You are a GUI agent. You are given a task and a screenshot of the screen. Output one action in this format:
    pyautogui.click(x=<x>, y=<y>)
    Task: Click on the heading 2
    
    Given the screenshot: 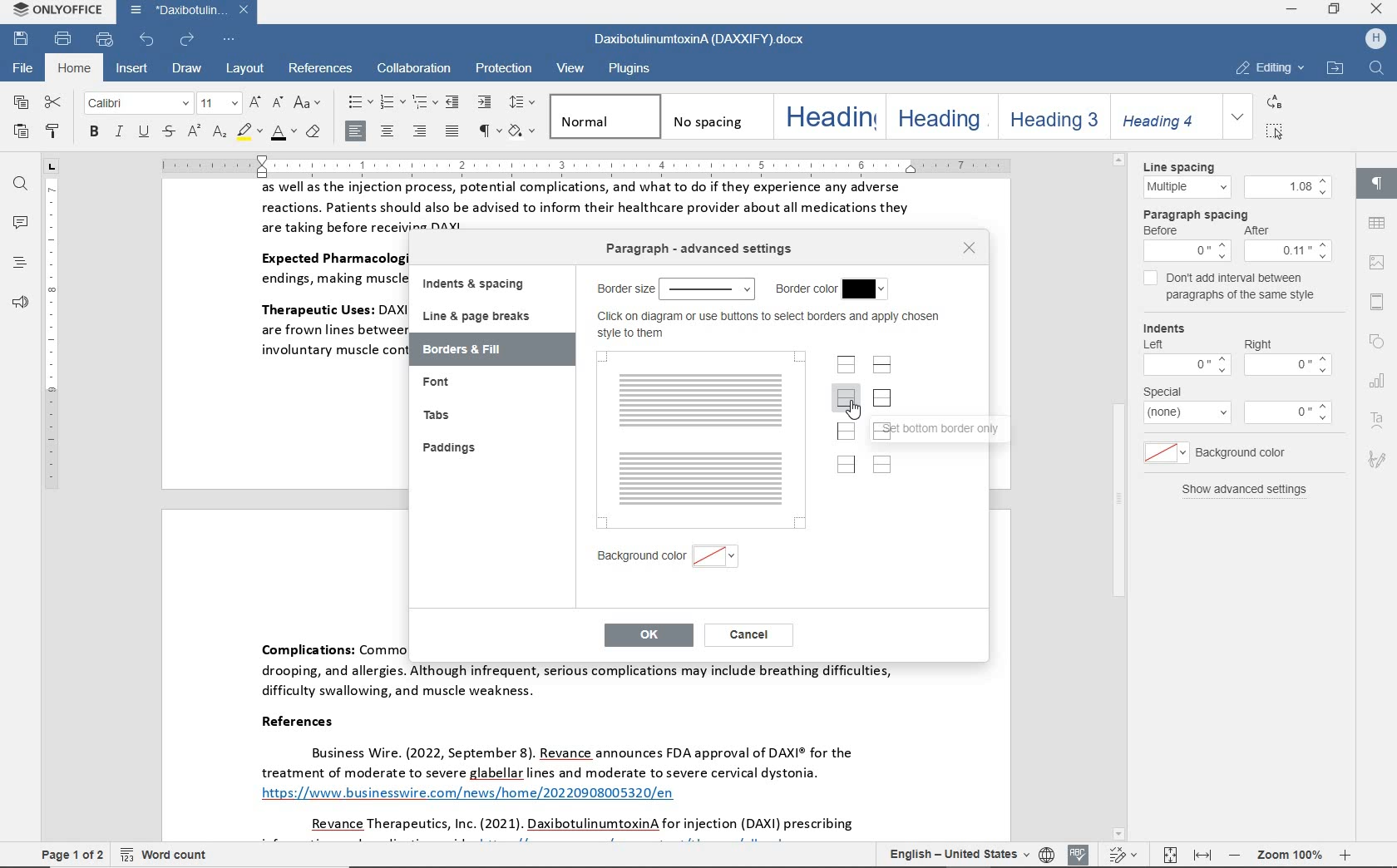 What is the action you would take?
    pyautogui.click(x=938, y=116)
    